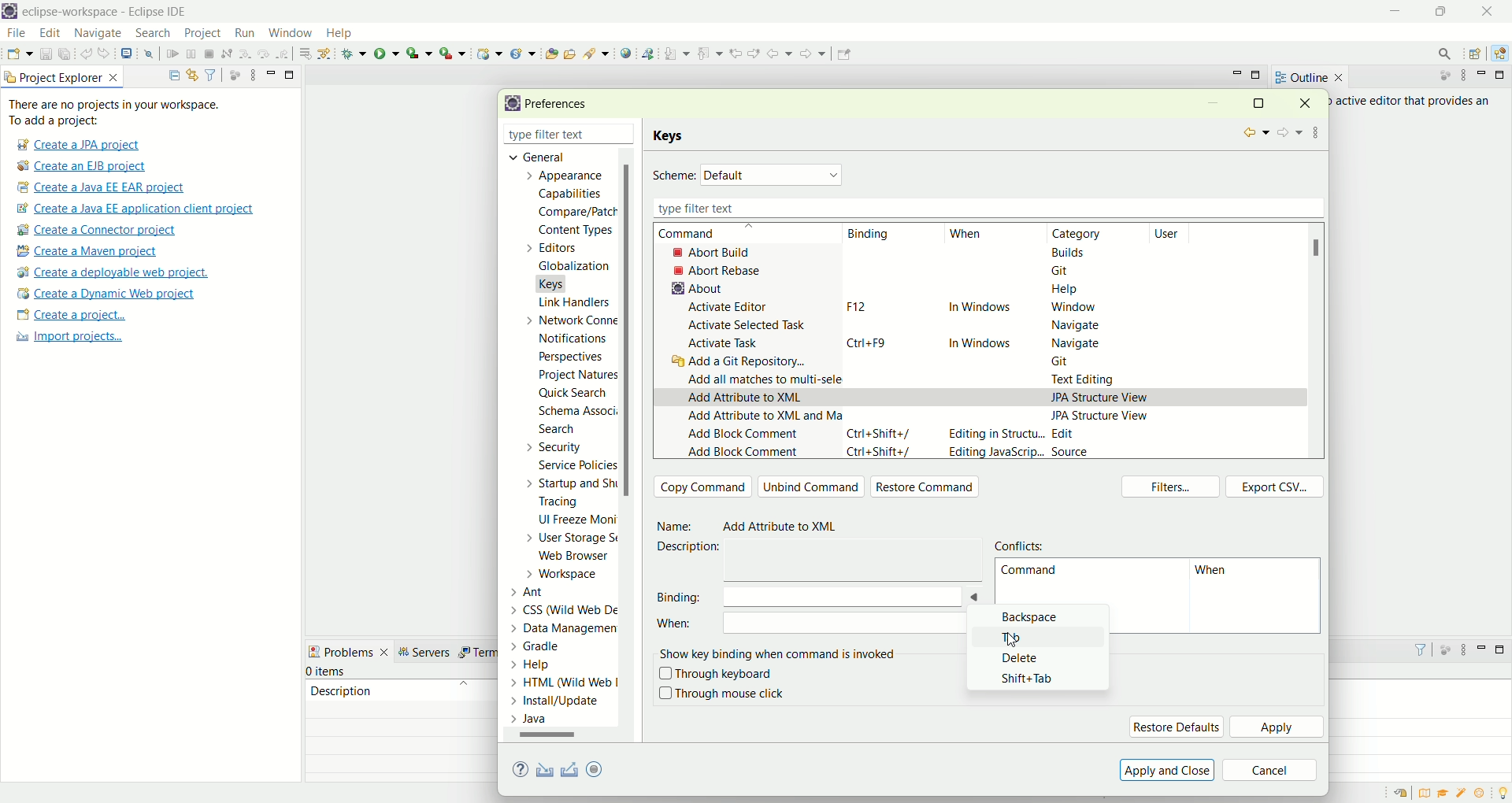 The image size is (1512, 803). I want to click on link with editor, so click(193, 75).